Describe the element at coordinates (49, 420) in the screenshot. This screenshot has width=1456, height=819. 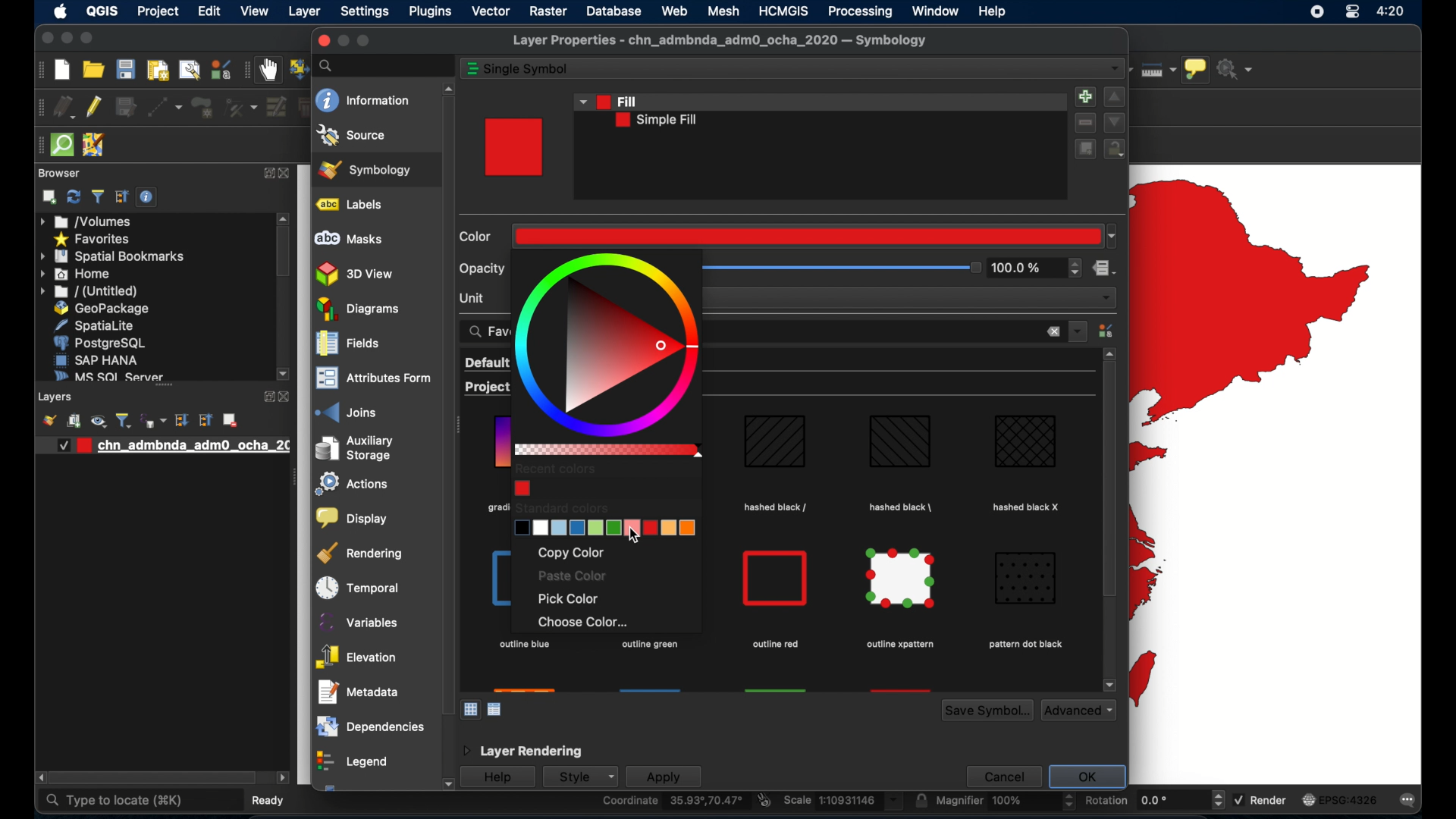
I see `open layer styling panel` at that location.